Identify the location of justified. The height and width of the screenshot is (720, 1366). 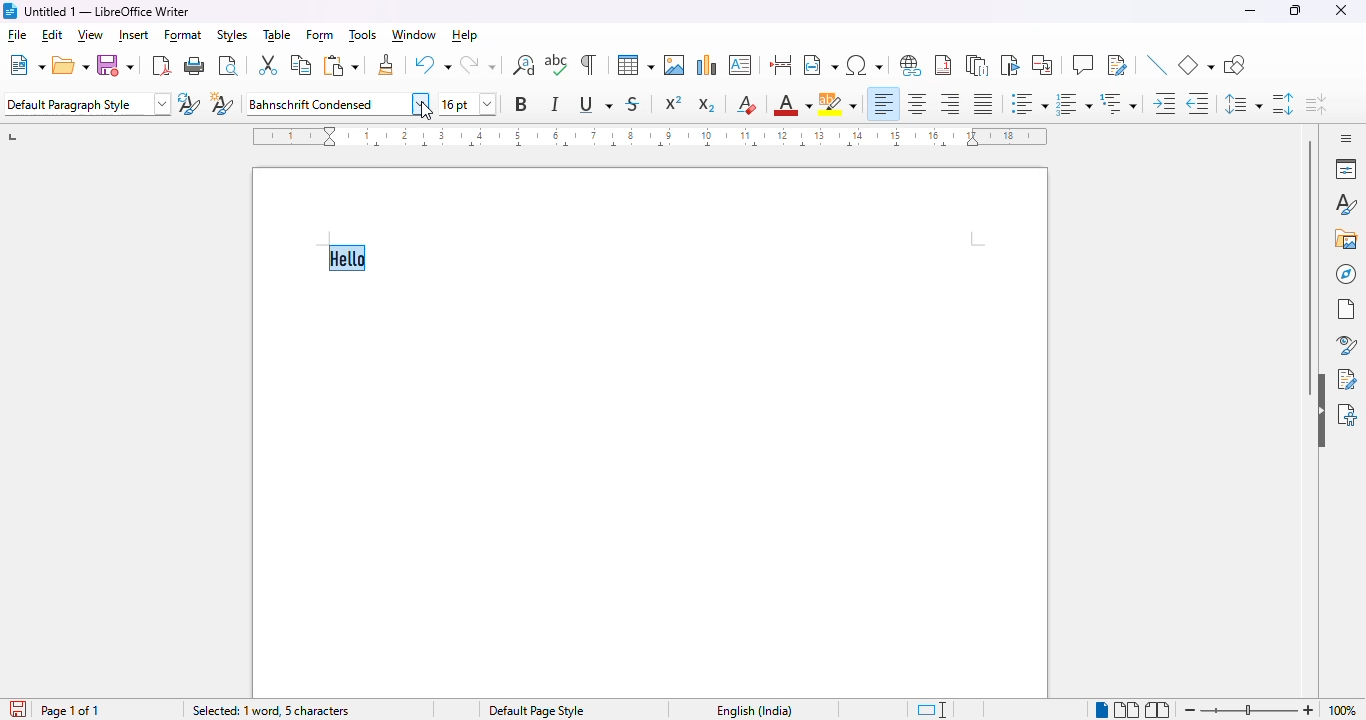
(983, 104).